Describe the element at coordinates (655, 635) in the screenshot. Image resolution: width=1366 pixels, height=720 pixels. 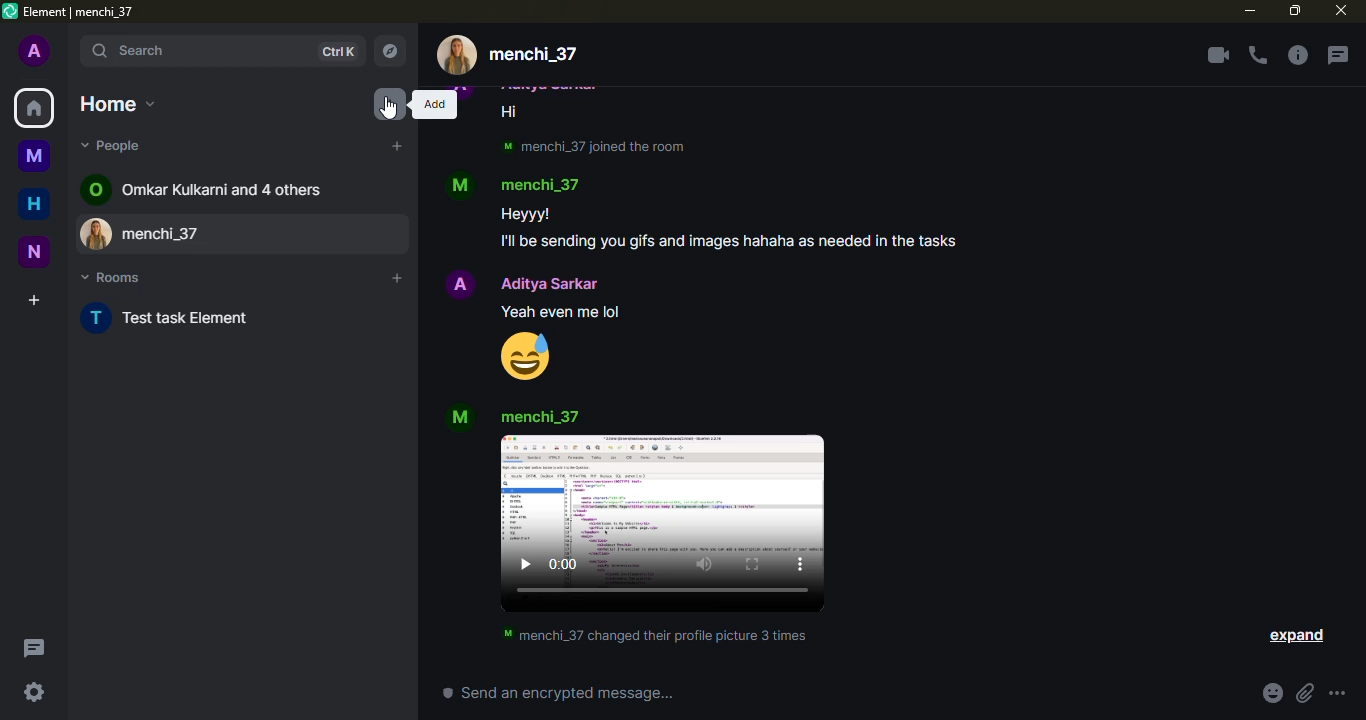
I see `menchi_37 changed their profile picture 3 times` at that location.